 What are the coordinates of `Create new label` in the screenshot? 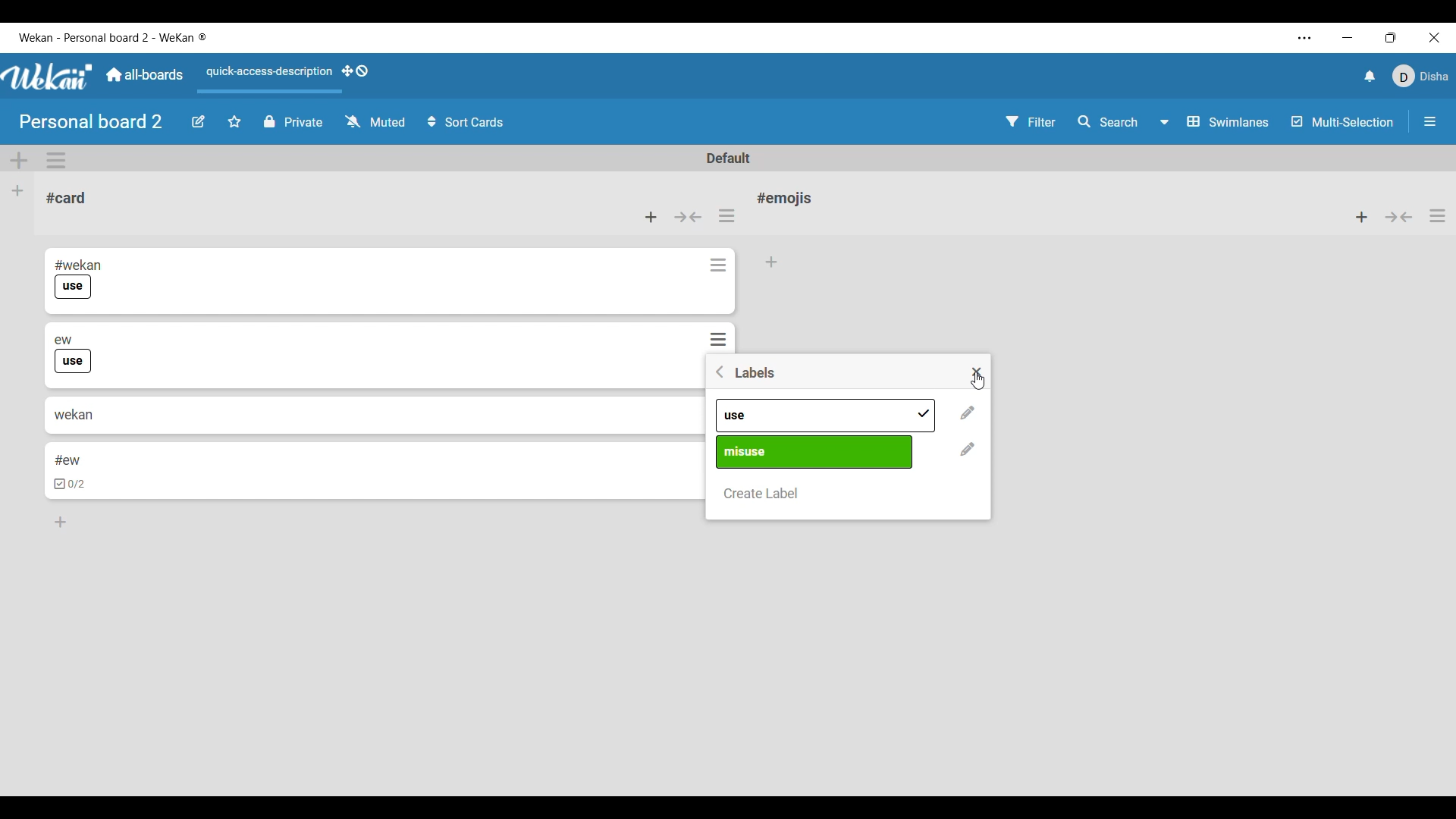 It's located at (761, 494).